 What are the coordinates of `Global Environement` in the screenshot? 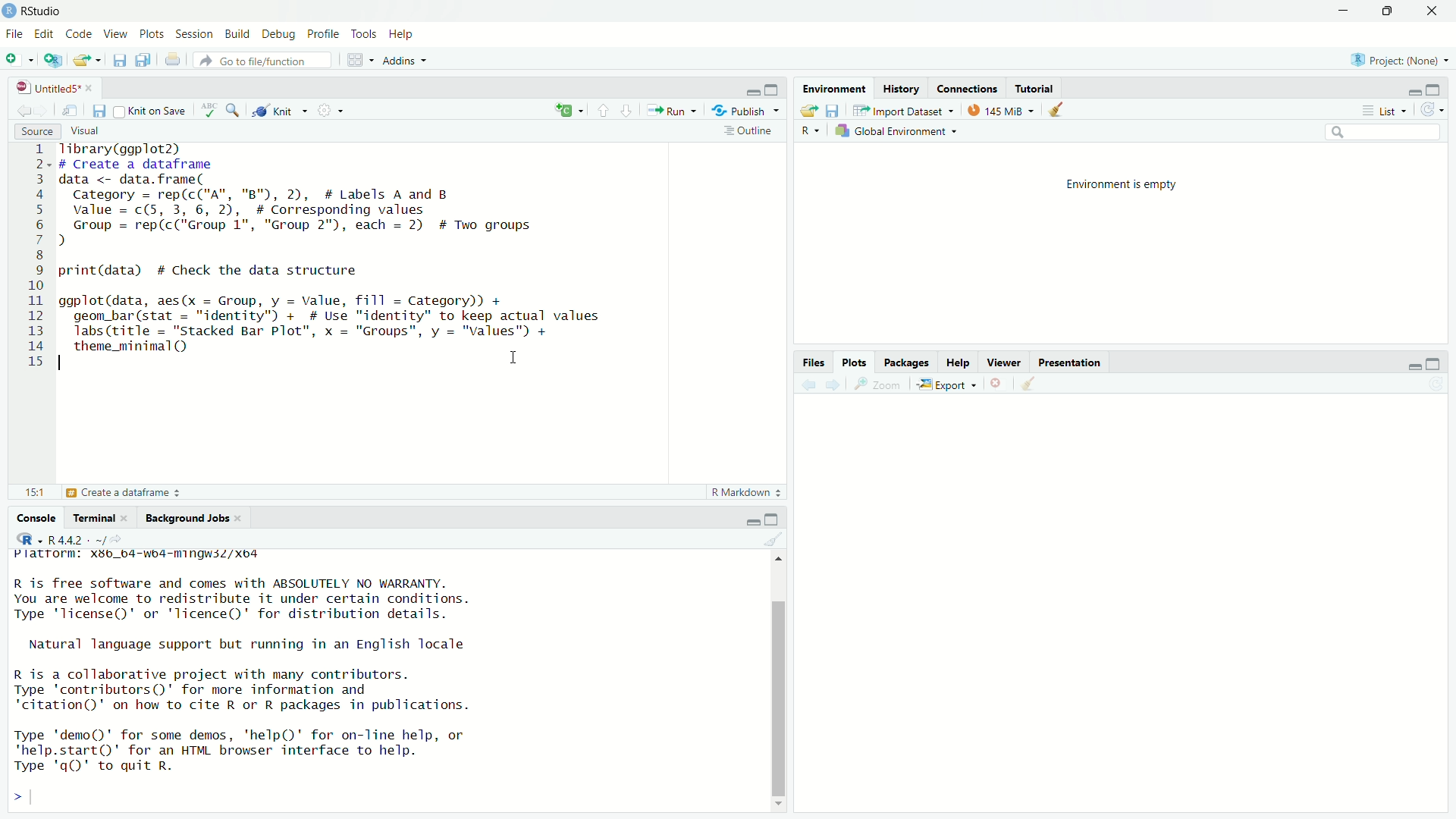 It's located at (896, 130).